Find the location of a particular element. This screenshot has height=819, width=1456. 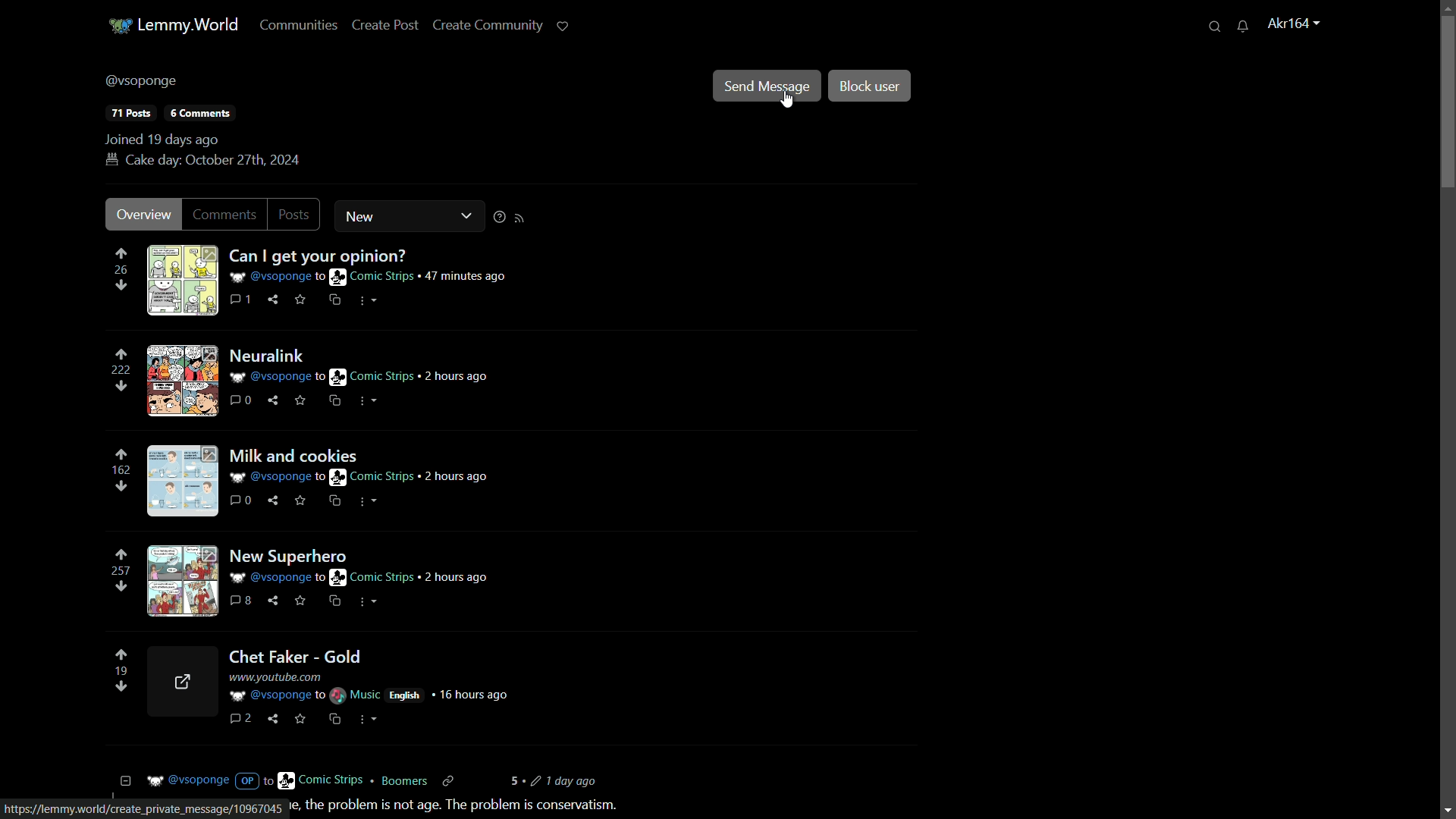

upvote is located at coordinates (121, 655).